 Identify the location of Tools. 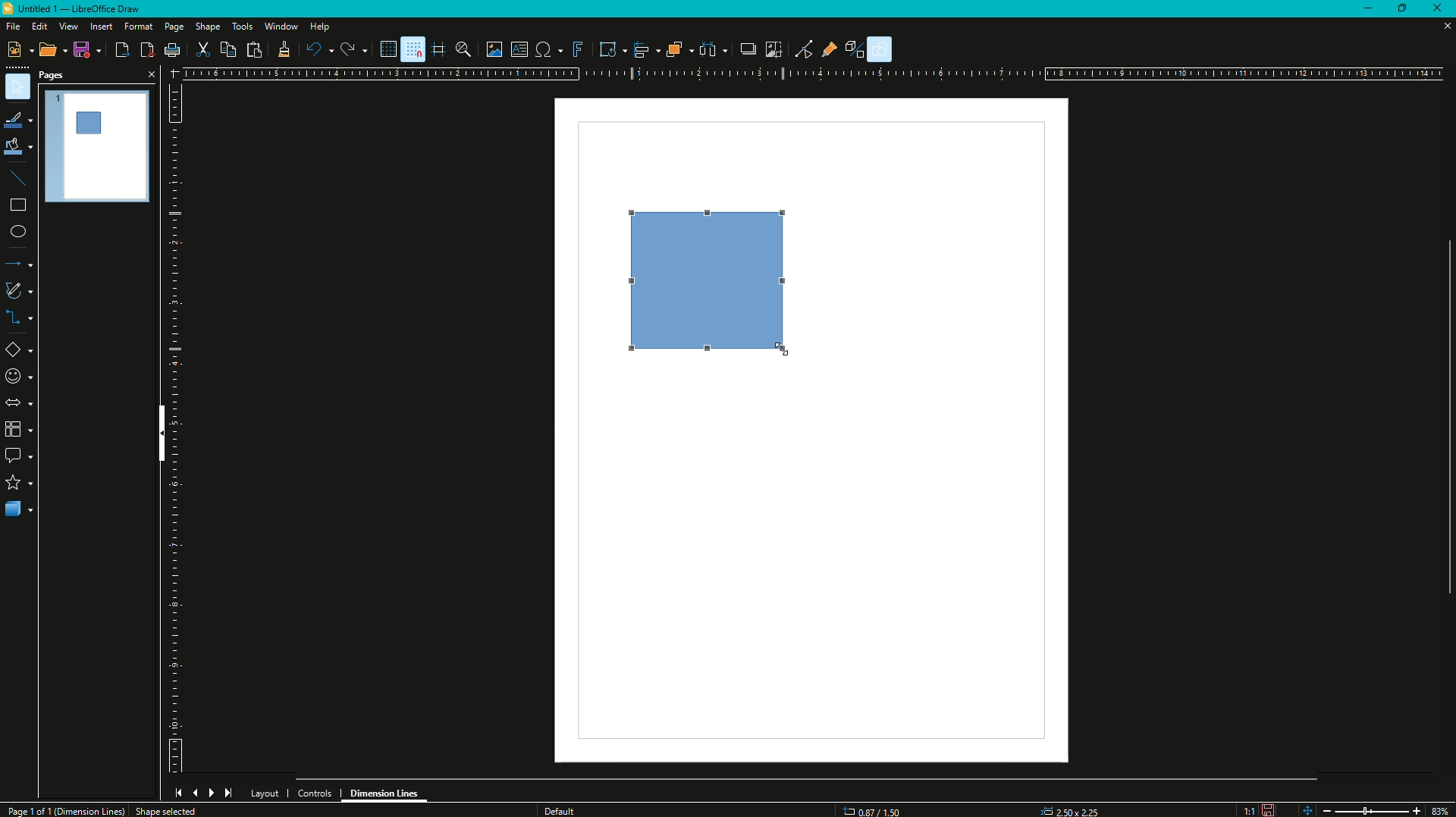
(242, 26).